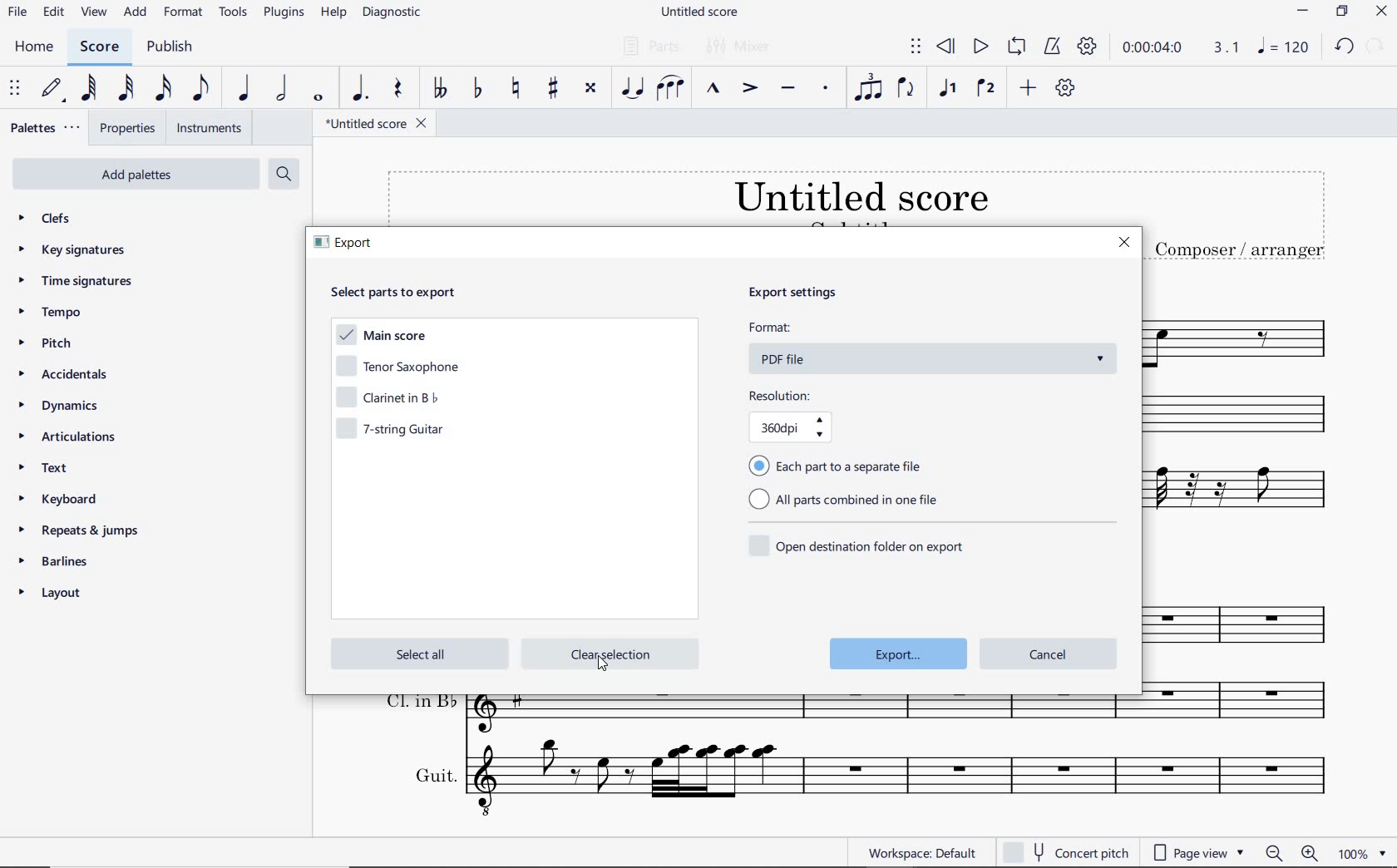 This screenshot has height=868, width=1397. What do you see at coordinates (609, 654) in the screenshot?
I see `clear selection` at bounding box center [609, 654].